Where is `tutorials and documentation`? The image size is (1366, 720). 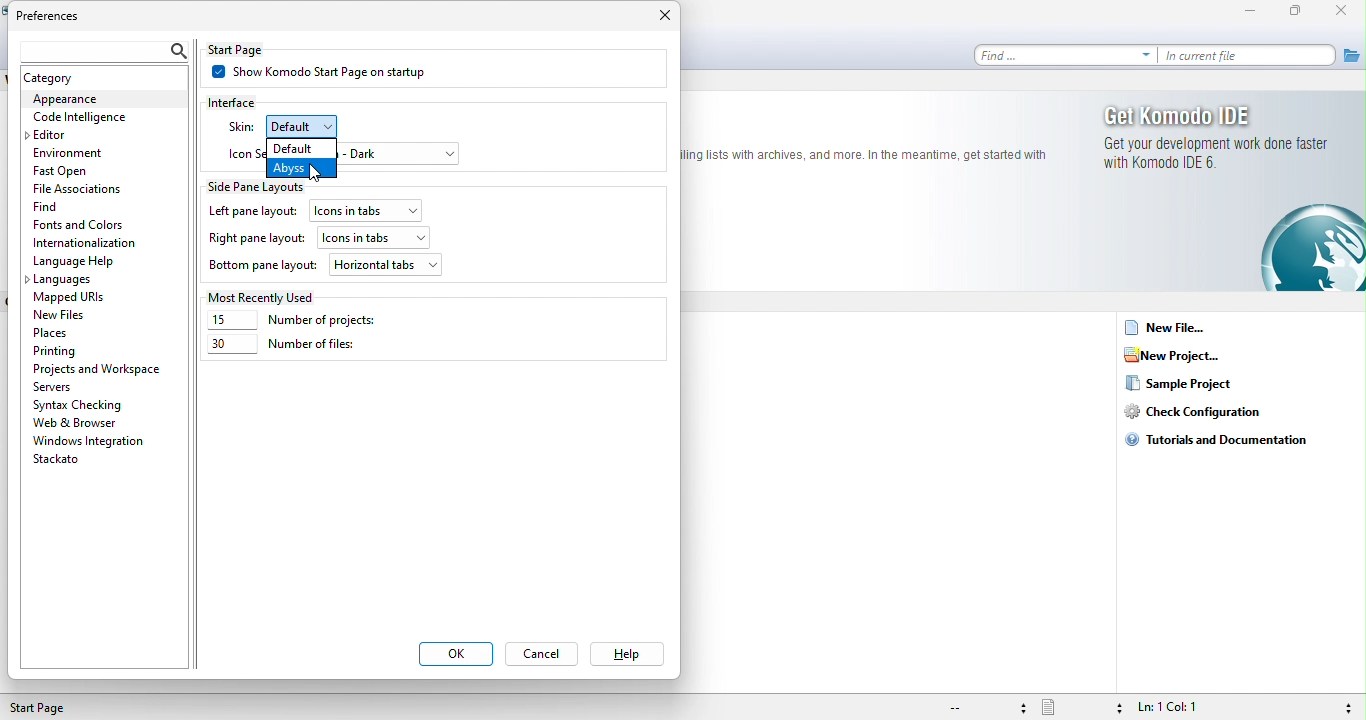
tutorials and documentation is located at coordinates (1228, 439).